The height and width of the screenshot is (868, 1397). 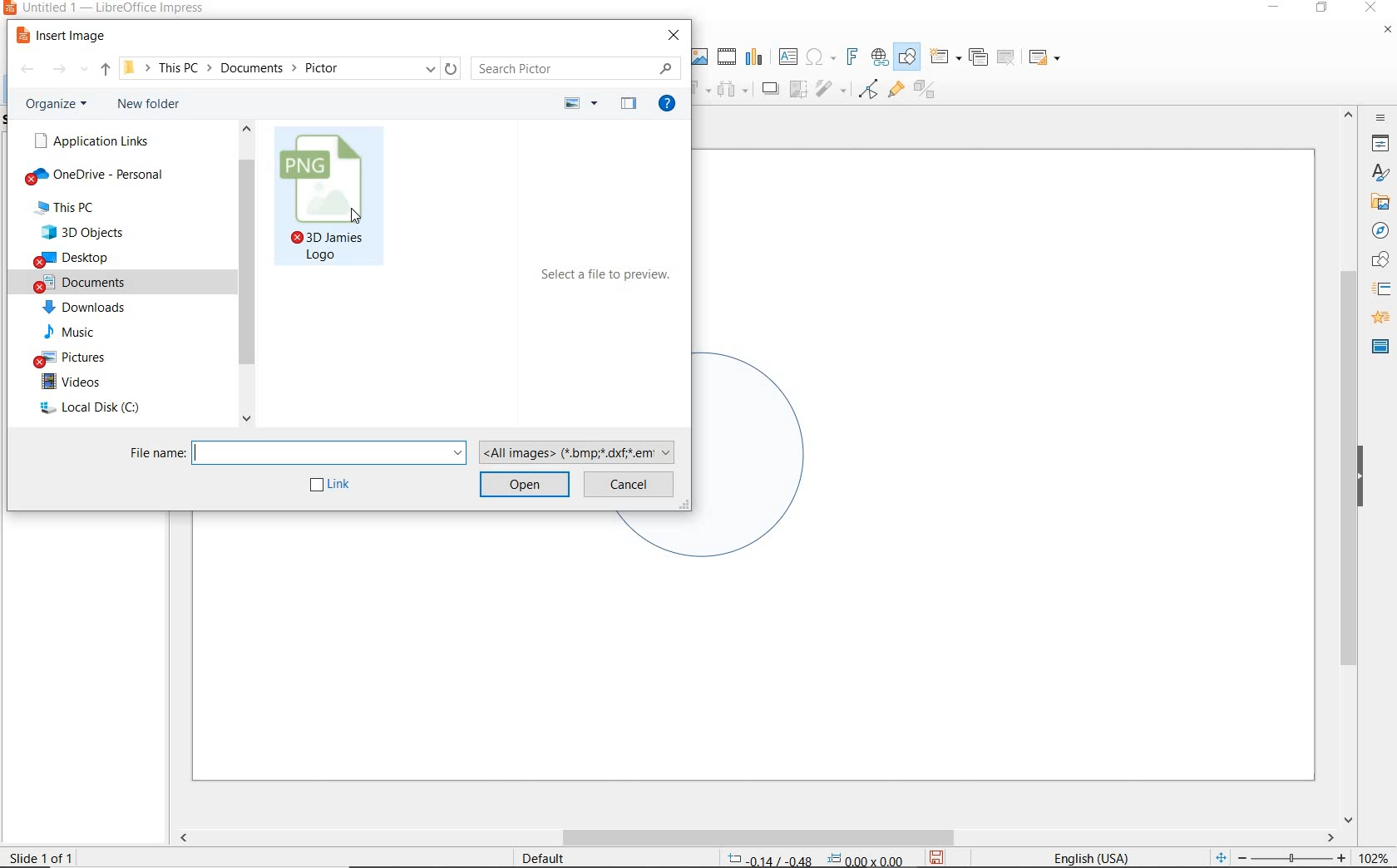 I want to click on default, so click(x=532, y=857).